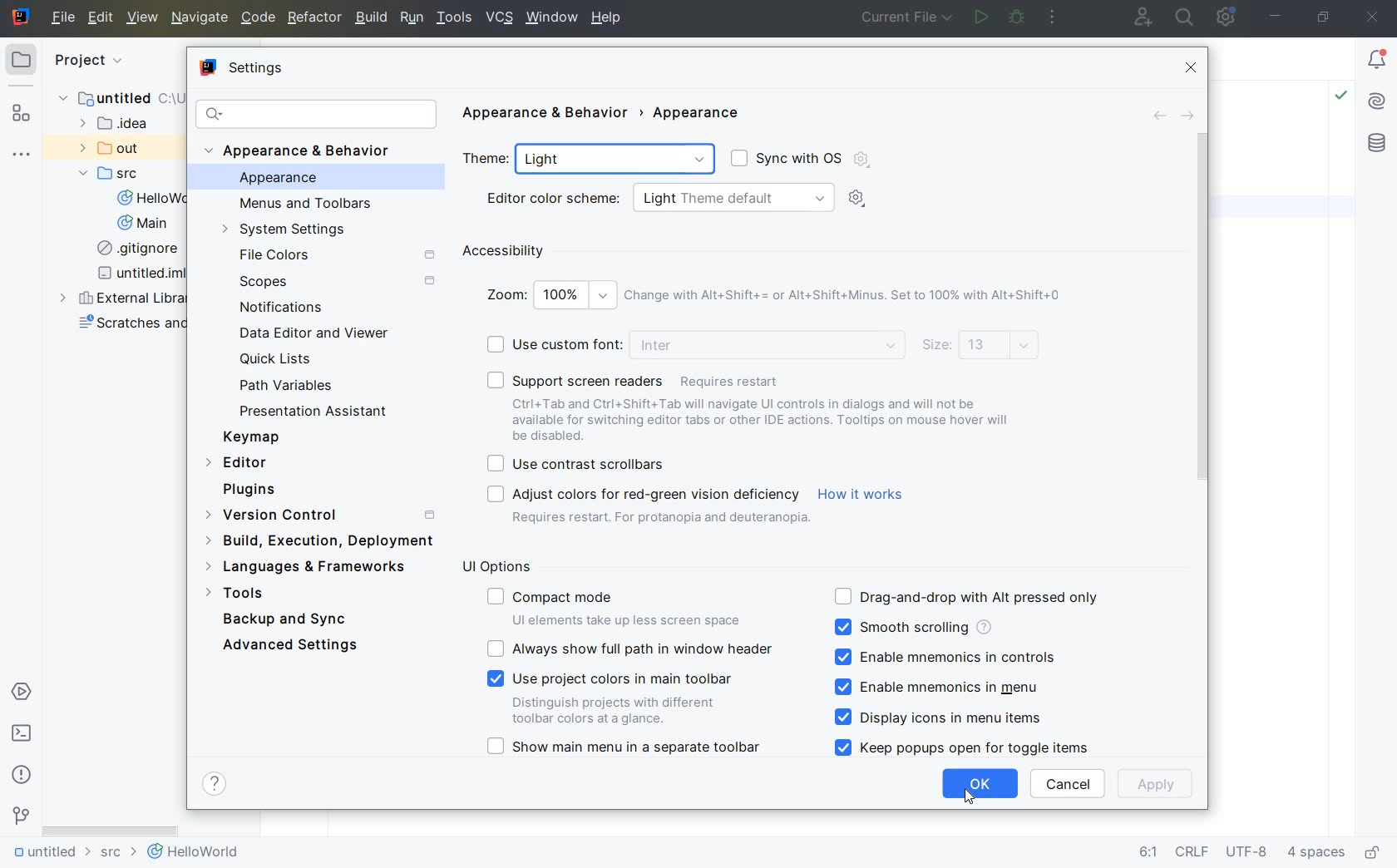  Describe the element at coordinates (1318, 855) in the screenshot. I see `4spaces(indent)` at that location.